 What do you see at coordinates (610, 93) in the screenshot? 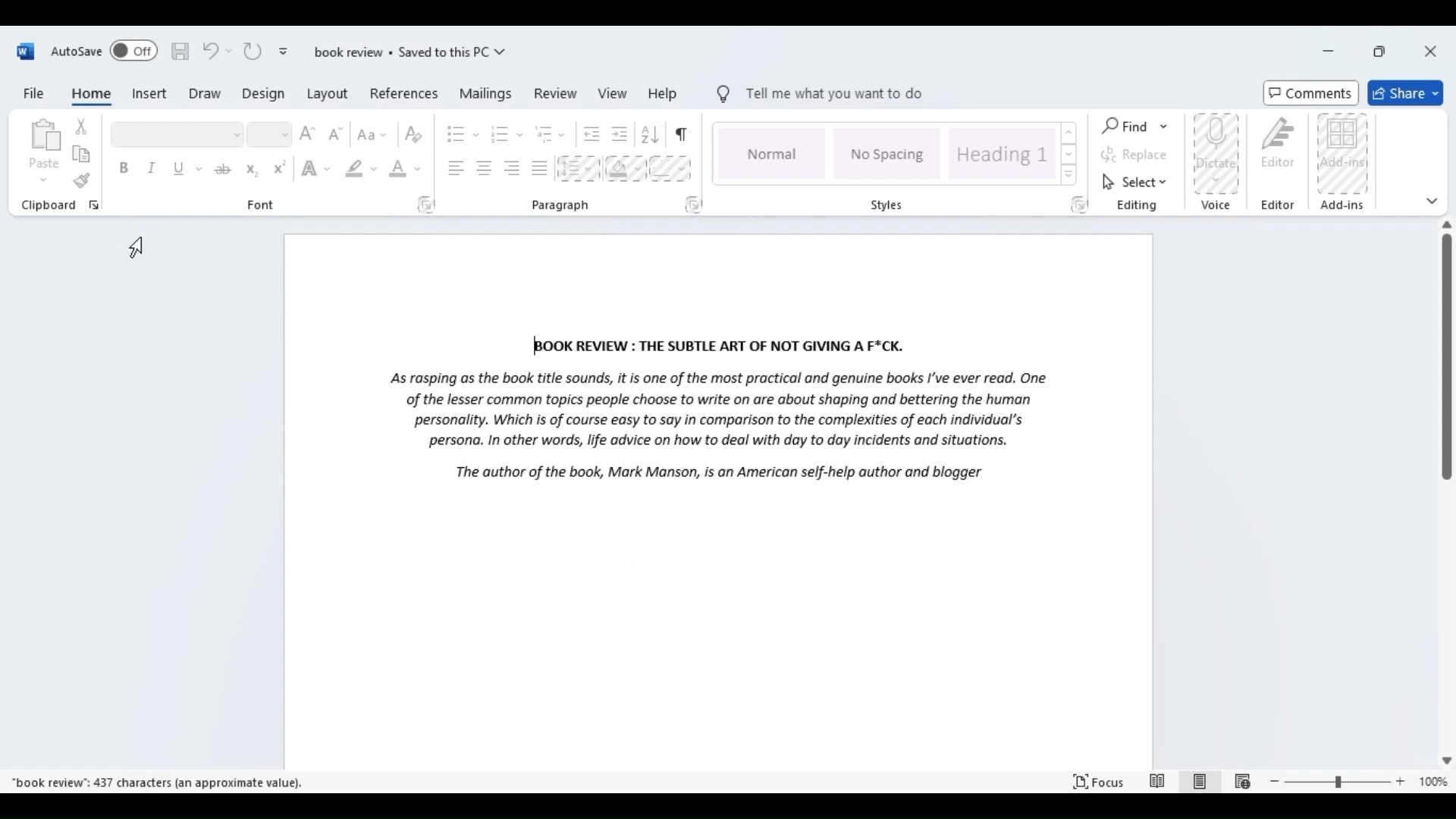
I see `View` at bounding box center [610, 93].